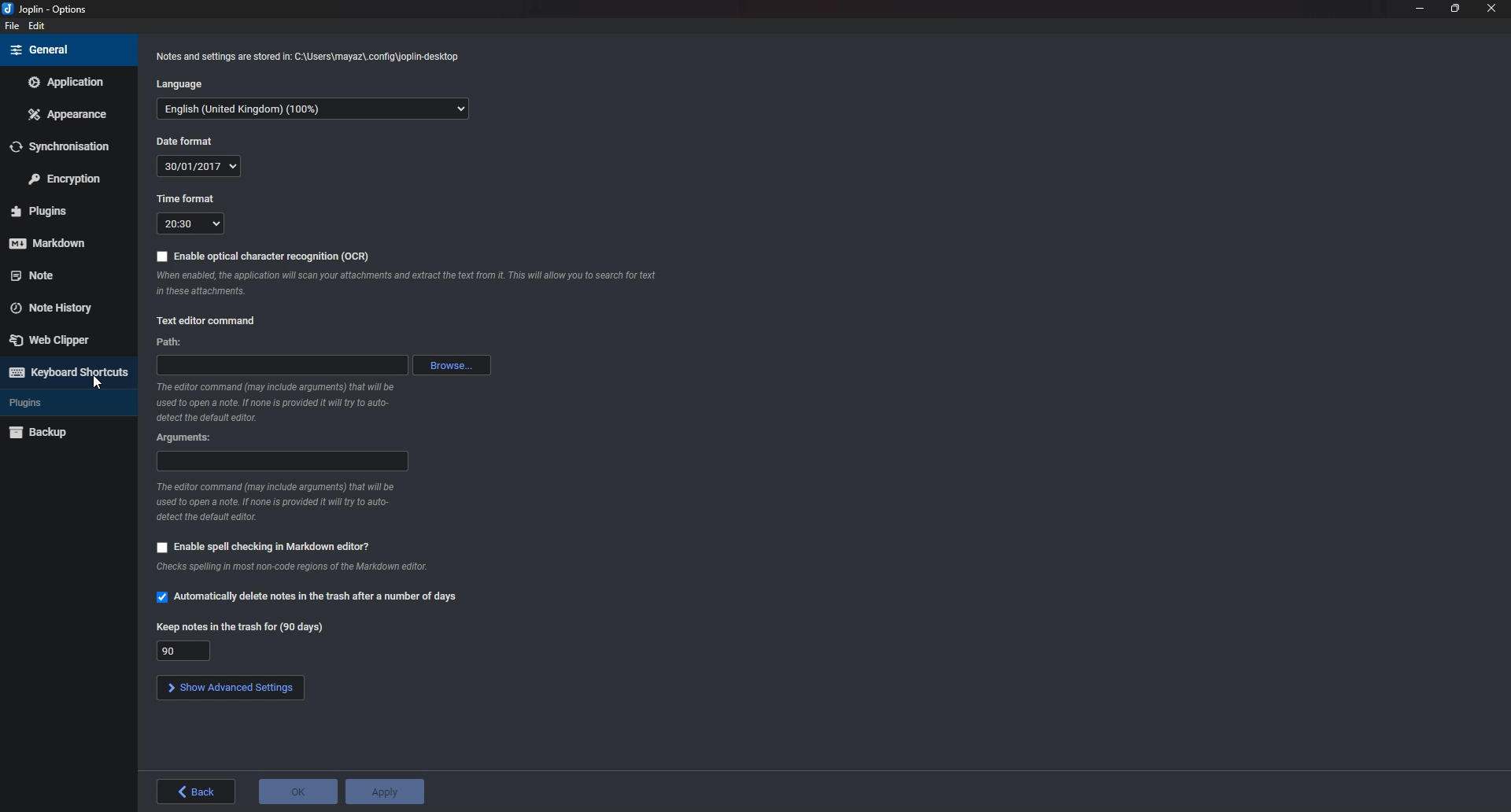 Image resolution: width=1511 pixels, height=812 pixels. What do you see at coordinates (297, 792) in the screenshot?
I see `ok` at bounding box center [297, 792].